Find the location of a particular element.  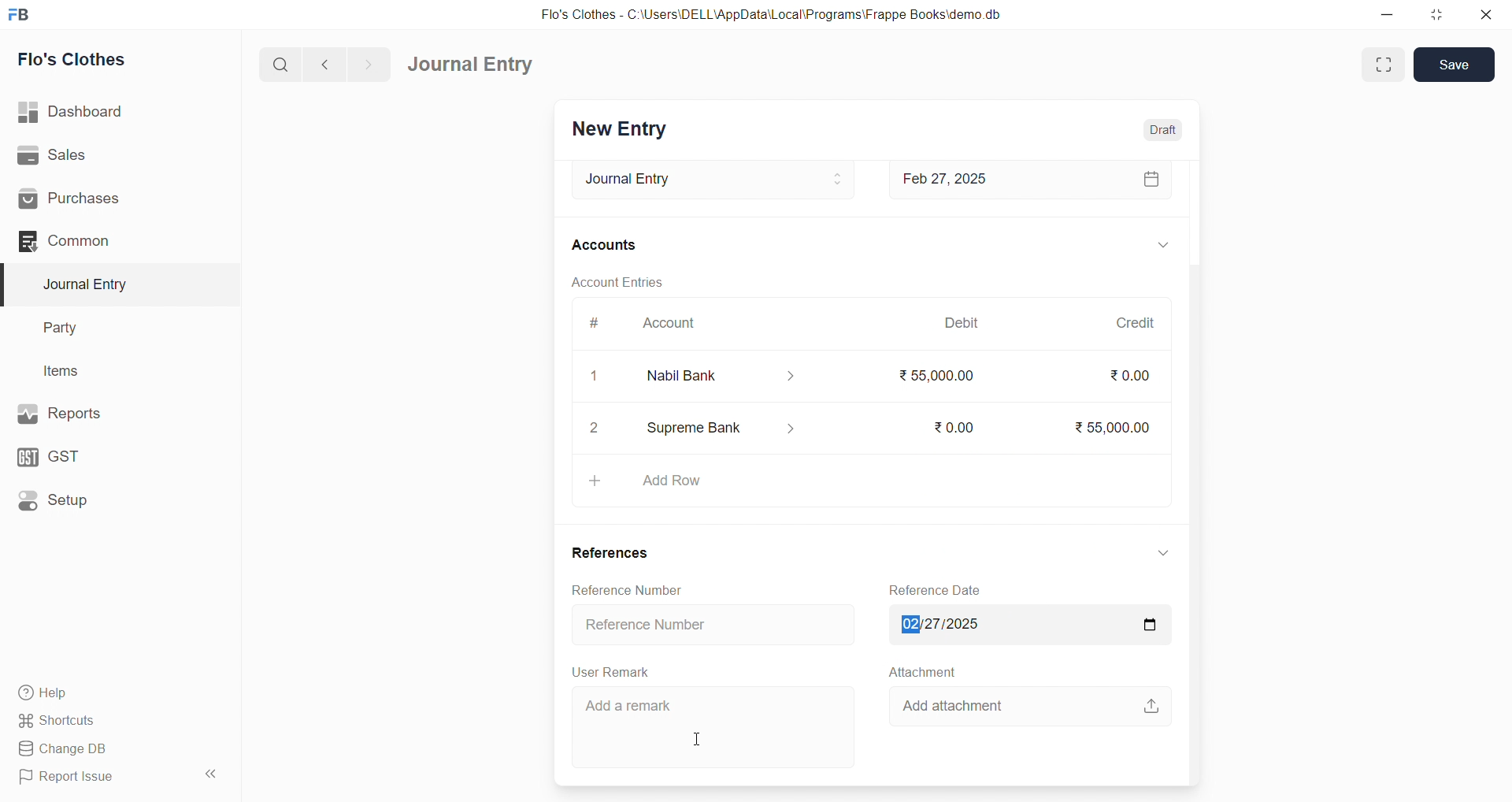

₹0.00 is located at coordinates (949, 426).